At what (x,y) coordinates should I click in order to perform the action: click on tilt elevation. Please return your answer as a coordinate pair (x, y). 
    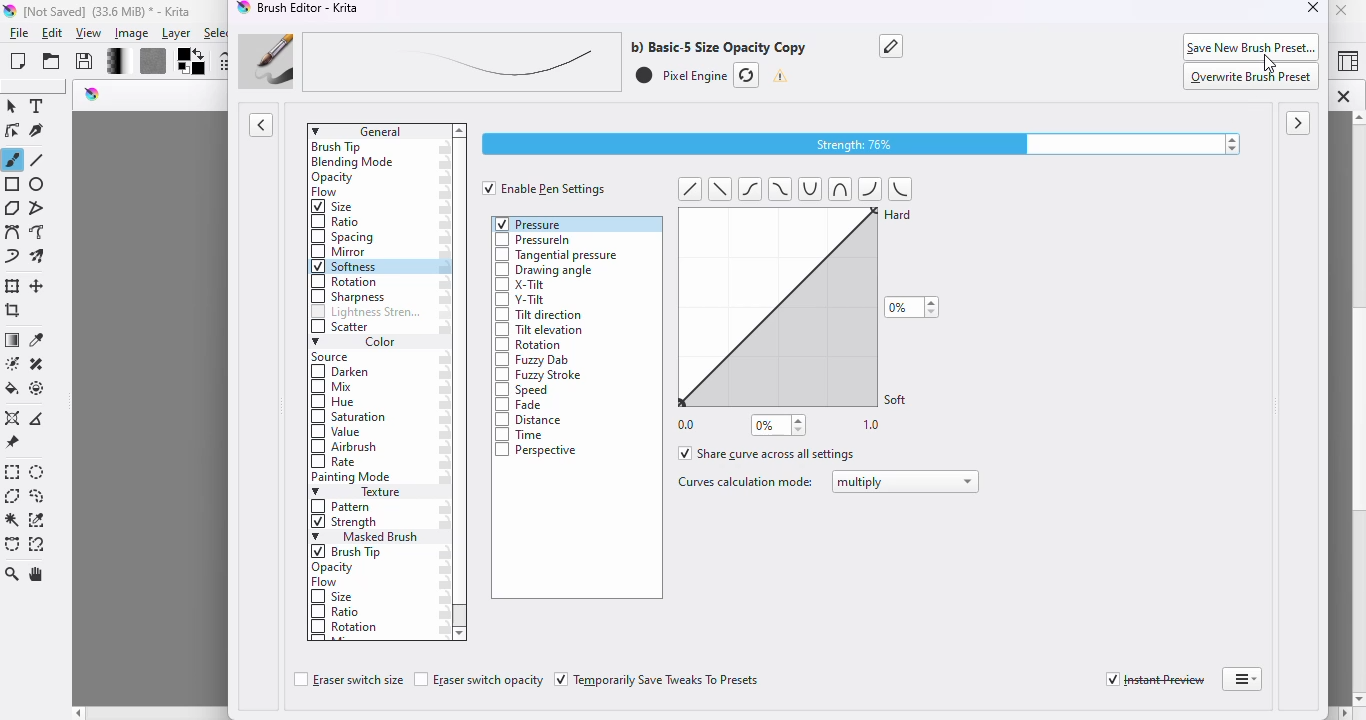
    Looking at the image, I should click on (539, 331).